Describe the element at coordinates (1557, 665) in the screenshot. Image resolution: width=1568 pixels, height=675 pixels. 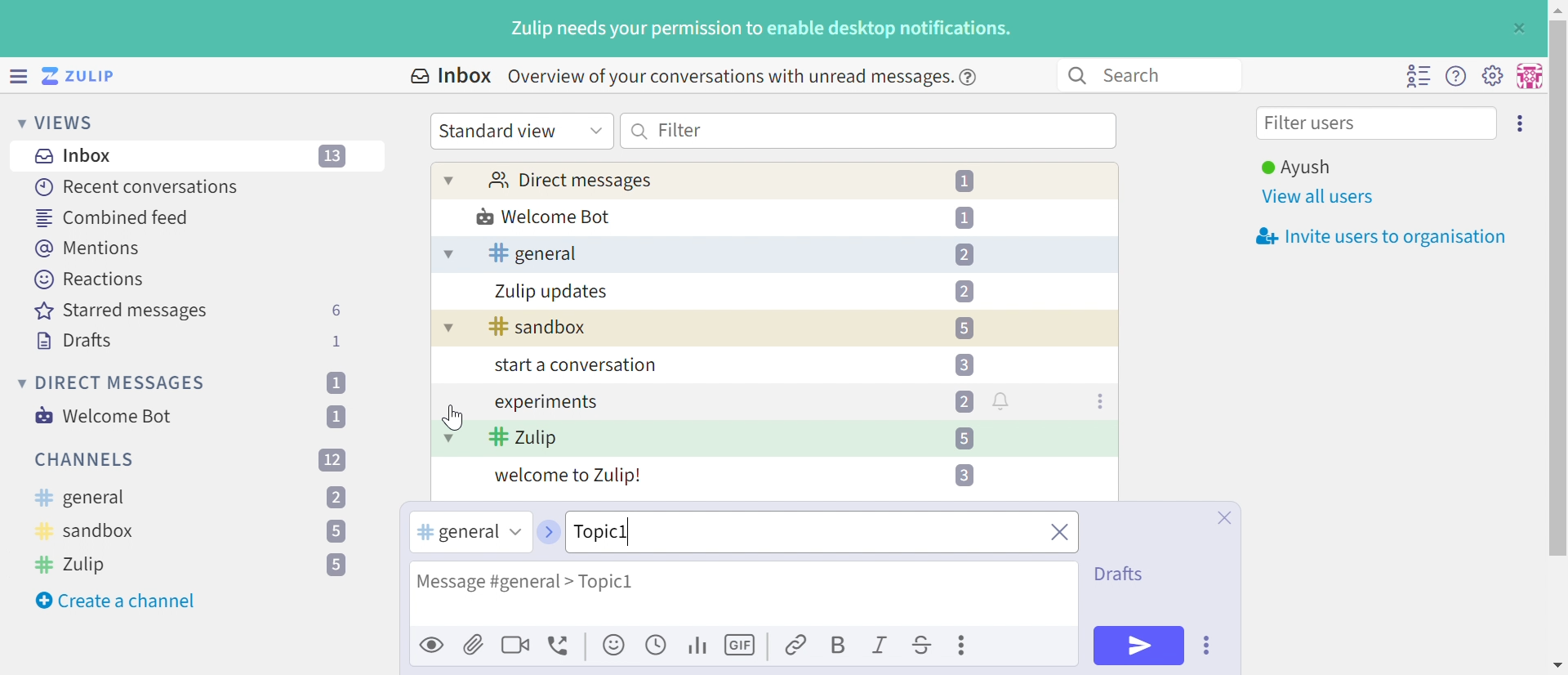
I see `move down` at that location.